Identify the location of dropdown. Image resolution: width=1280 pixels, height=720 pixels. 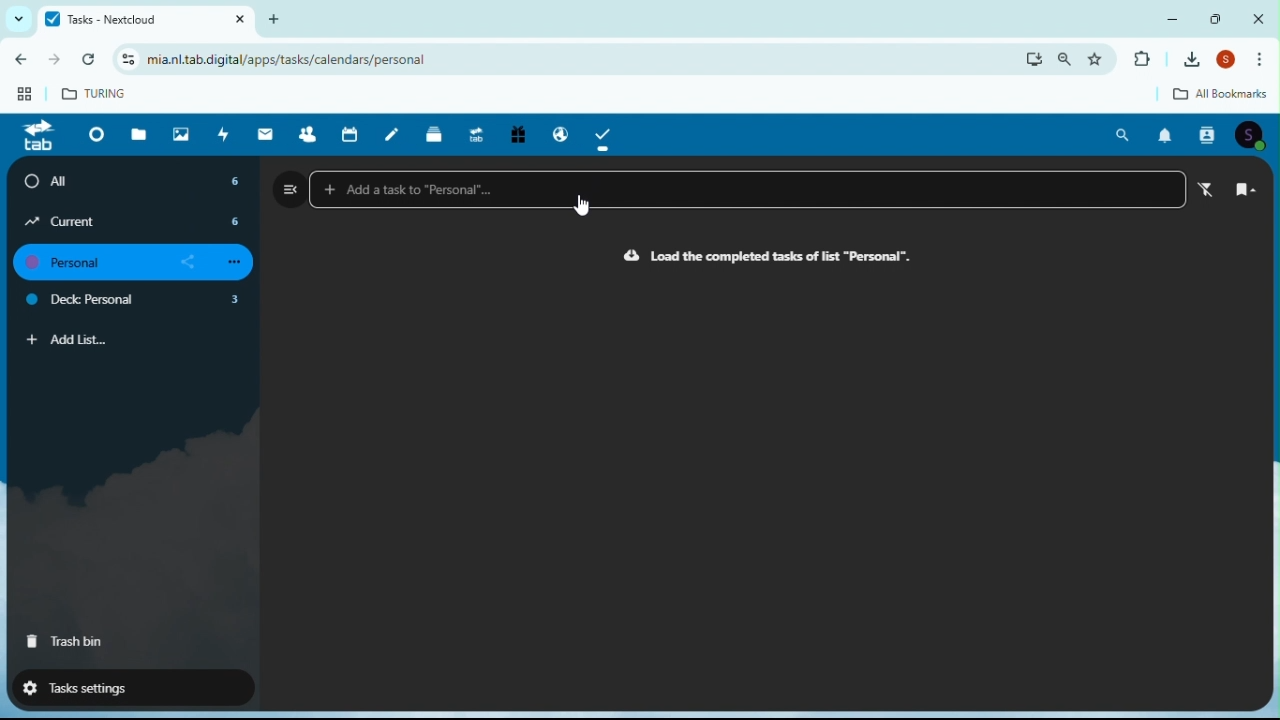
(15, 19).